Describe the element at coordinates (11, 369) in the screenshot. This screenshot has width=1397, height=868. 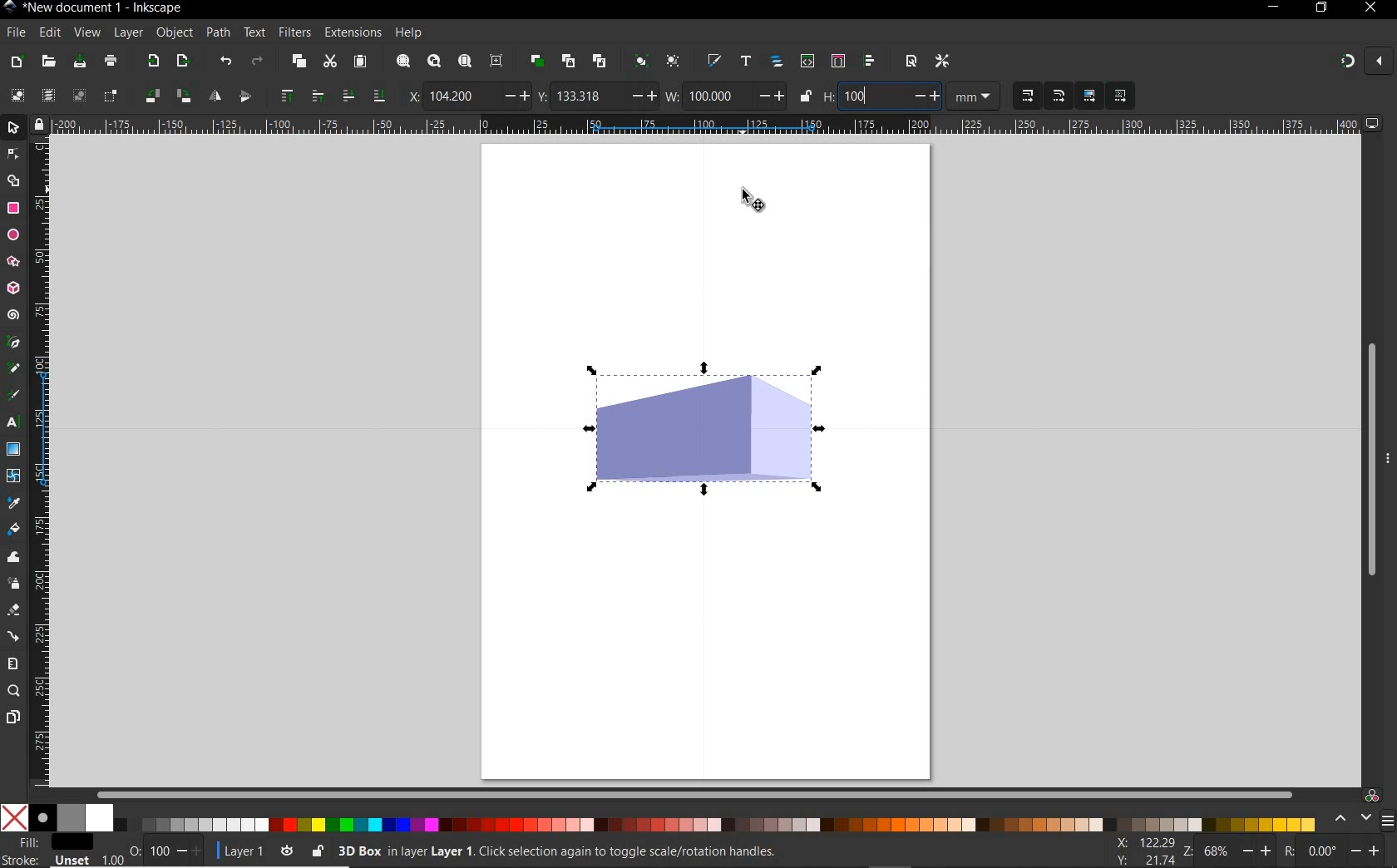
I see `pencil tool` at that location.